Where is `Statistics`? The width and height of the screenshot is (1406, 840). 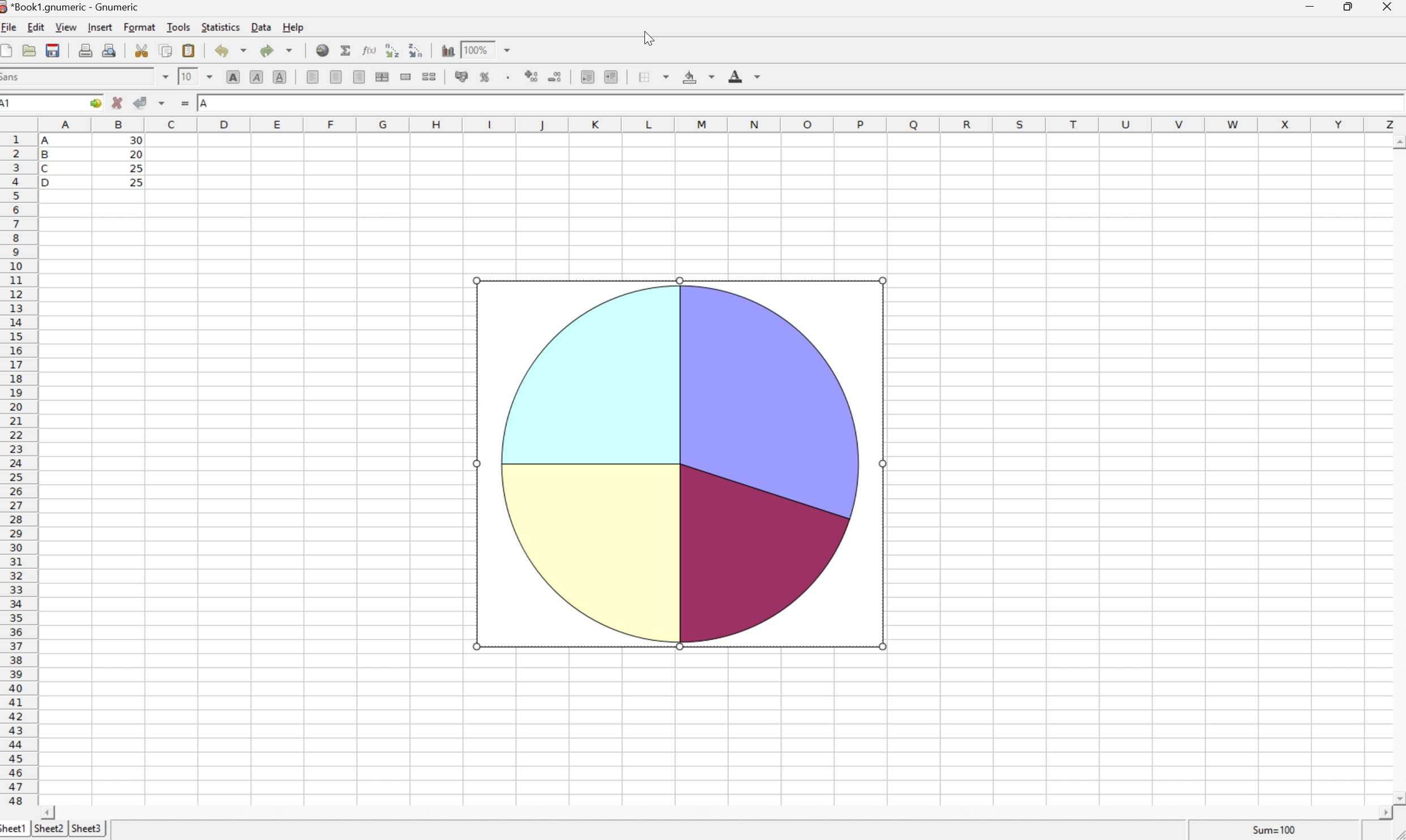 Statistics is located at coordinates (221, 27).